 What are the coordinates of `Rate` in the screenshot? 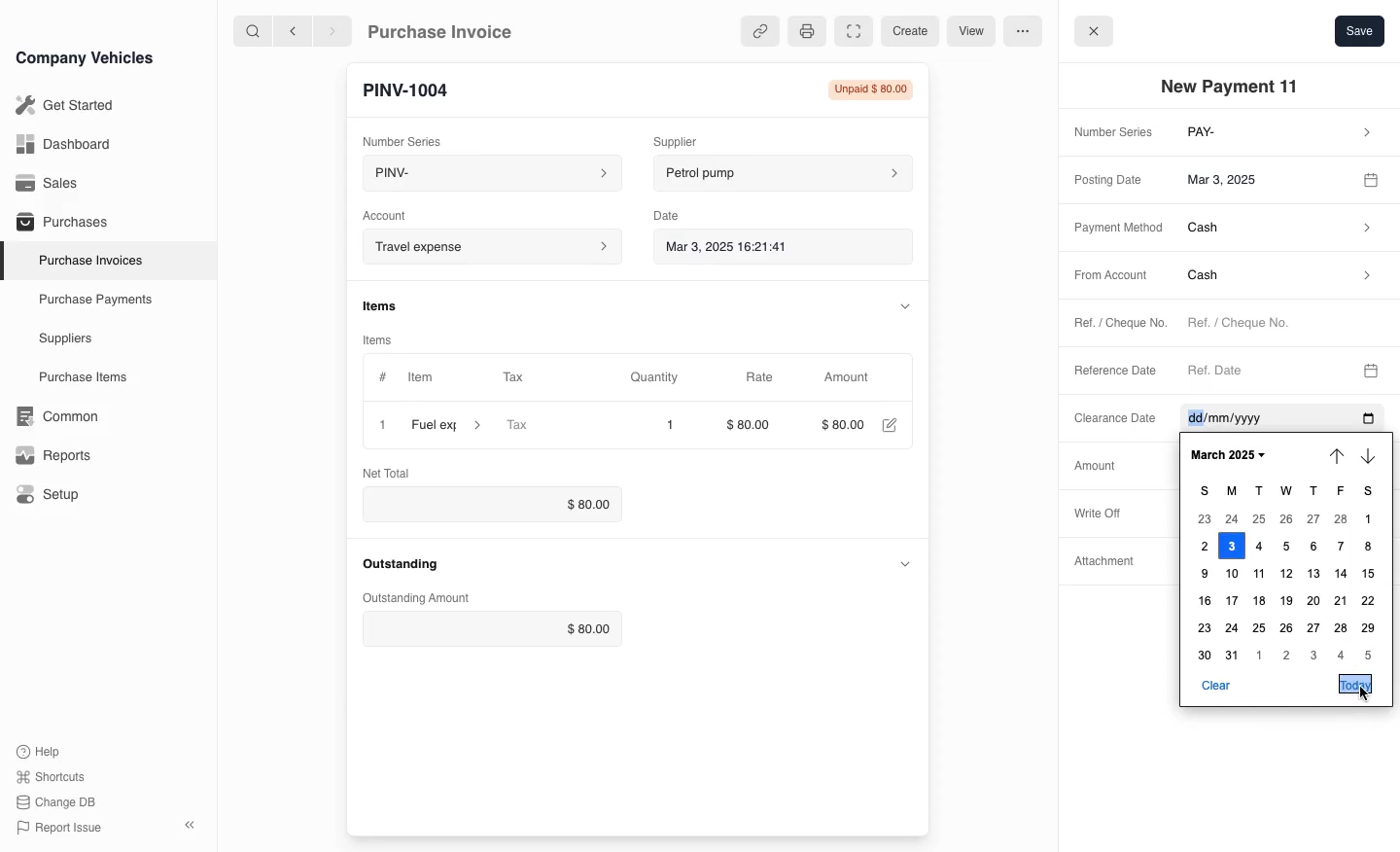 It's located at (757, 377).